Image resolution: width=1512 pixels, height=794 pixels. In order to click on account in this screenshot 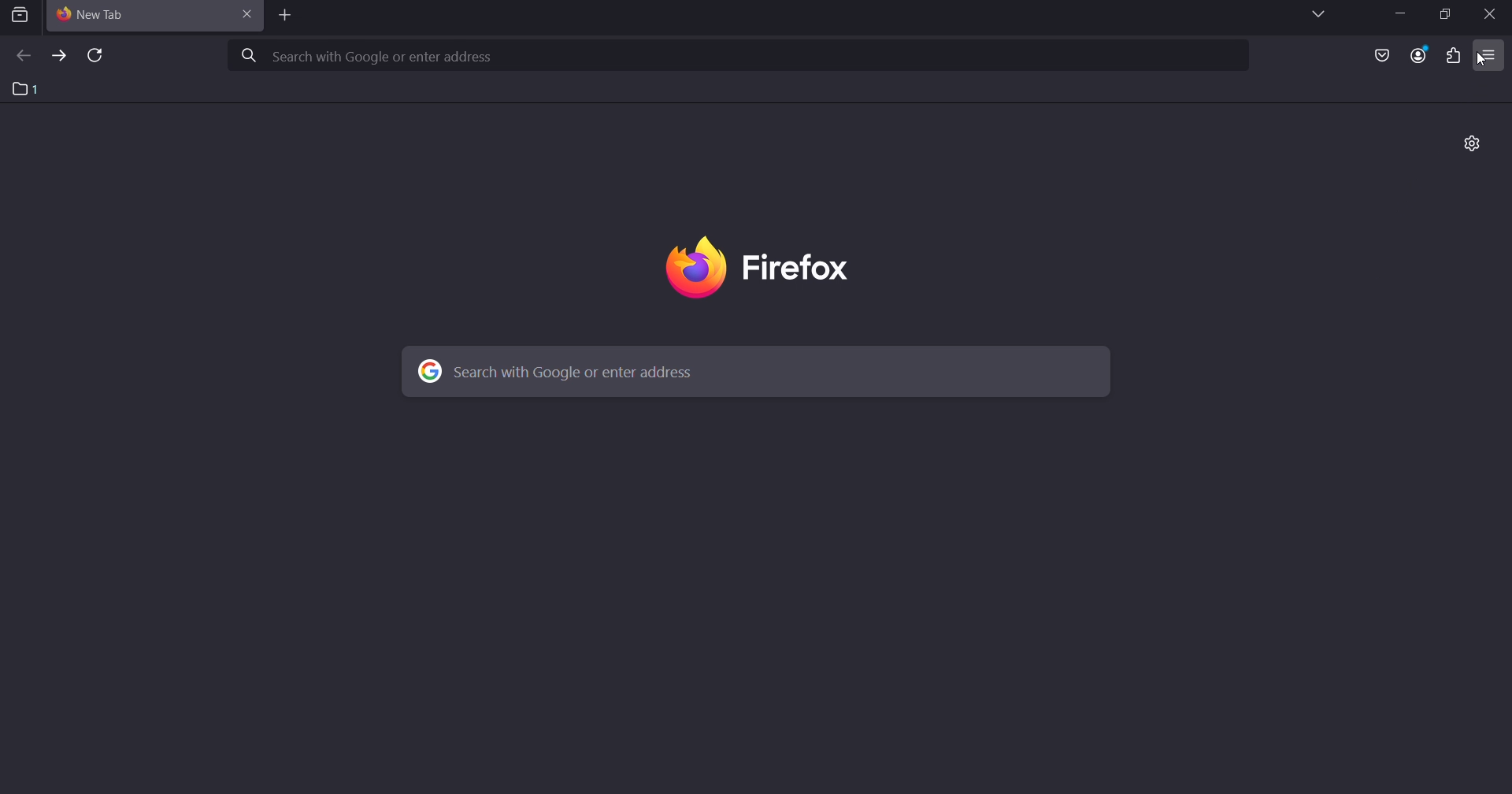, I will do `click(1418, 54)`.